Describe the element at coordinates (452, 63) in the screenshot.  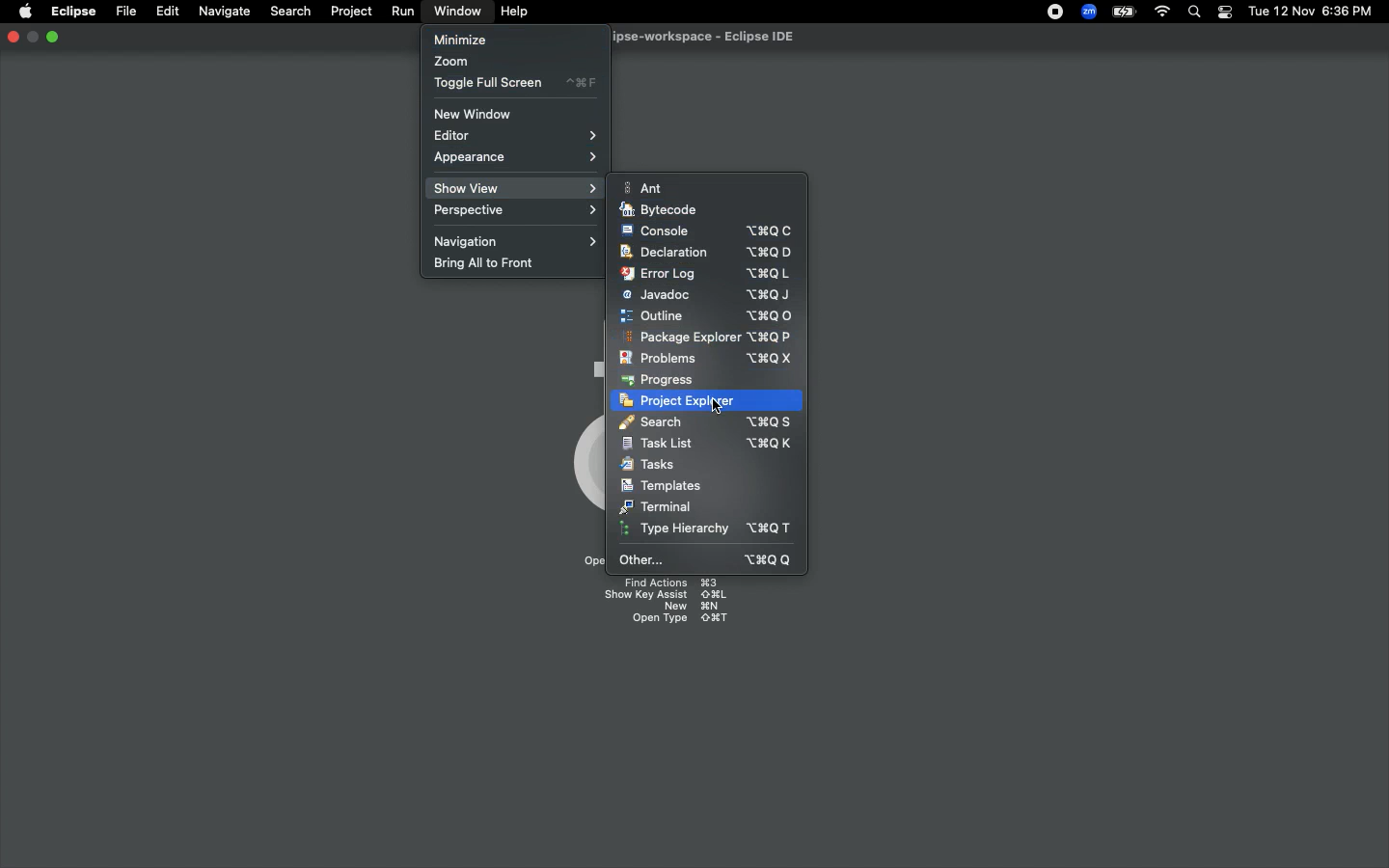
I see `Zoom` at that location.